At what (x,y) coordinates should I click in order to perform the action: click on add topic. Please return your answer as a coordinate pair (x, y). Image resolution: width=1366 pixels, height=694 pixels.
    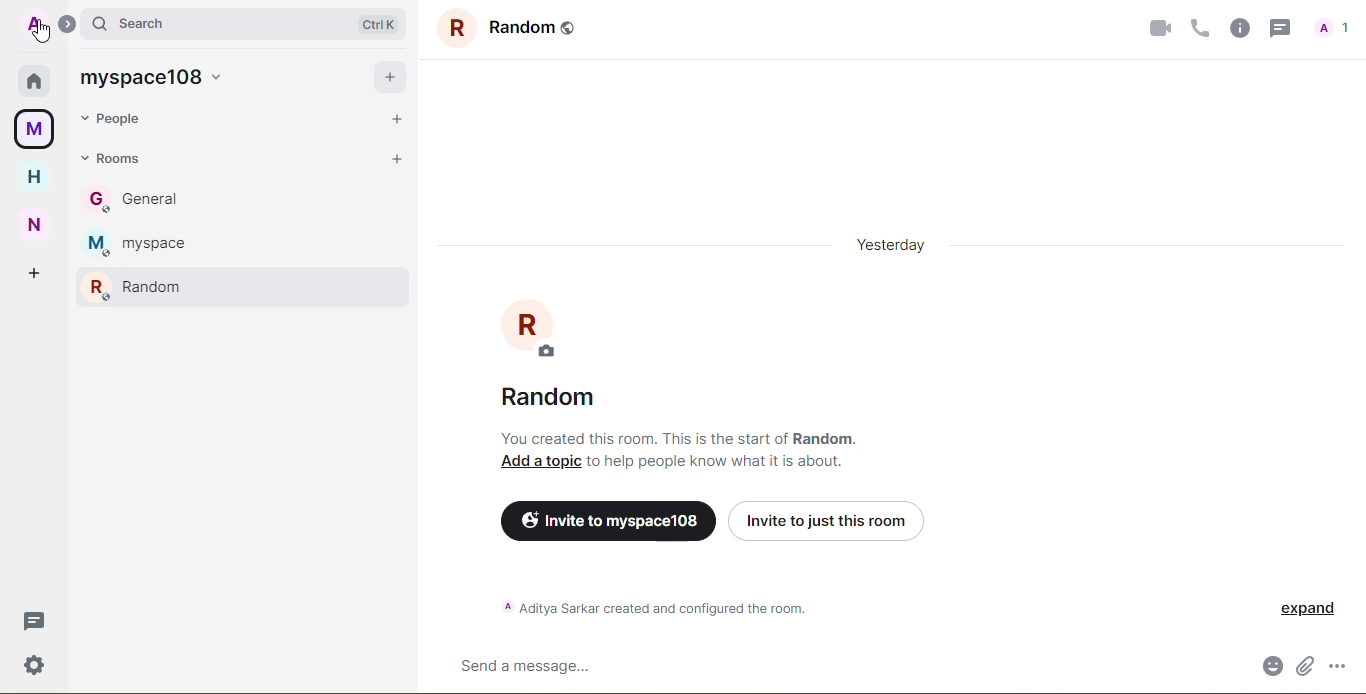
    Looking at the image, I should click on (540, 462).